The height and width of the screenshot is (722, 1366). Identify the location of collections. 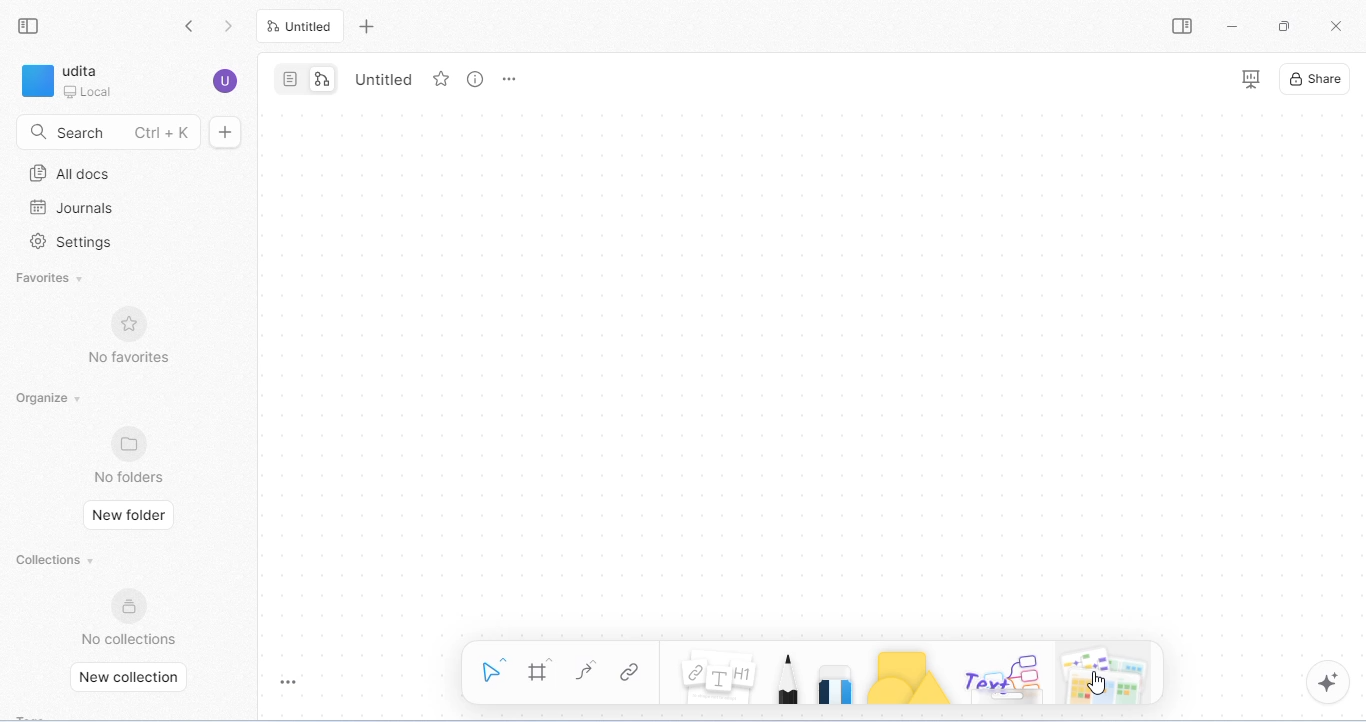
(57, 559).